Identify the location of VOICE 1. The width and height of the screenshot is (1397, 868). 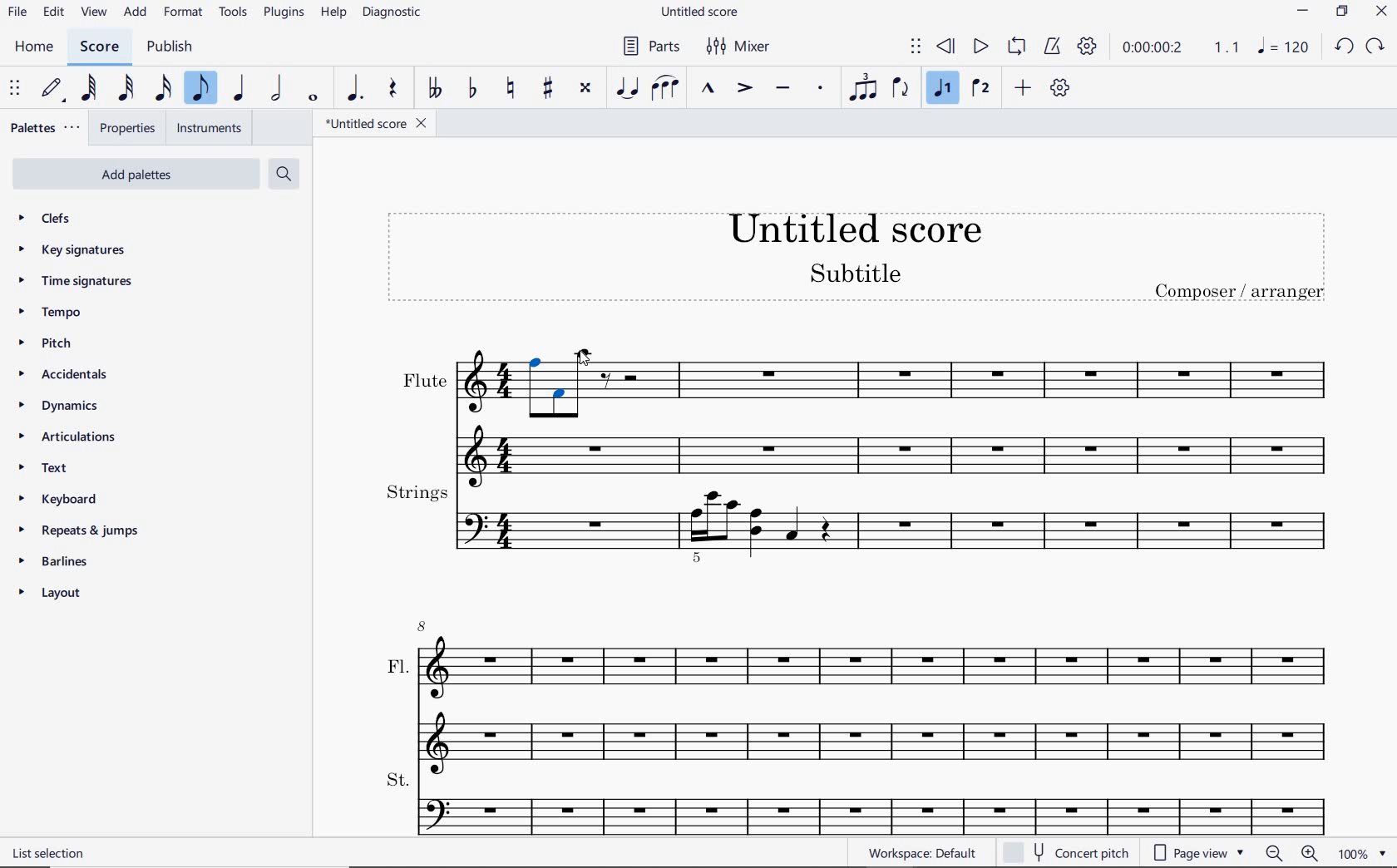
(945, 90).